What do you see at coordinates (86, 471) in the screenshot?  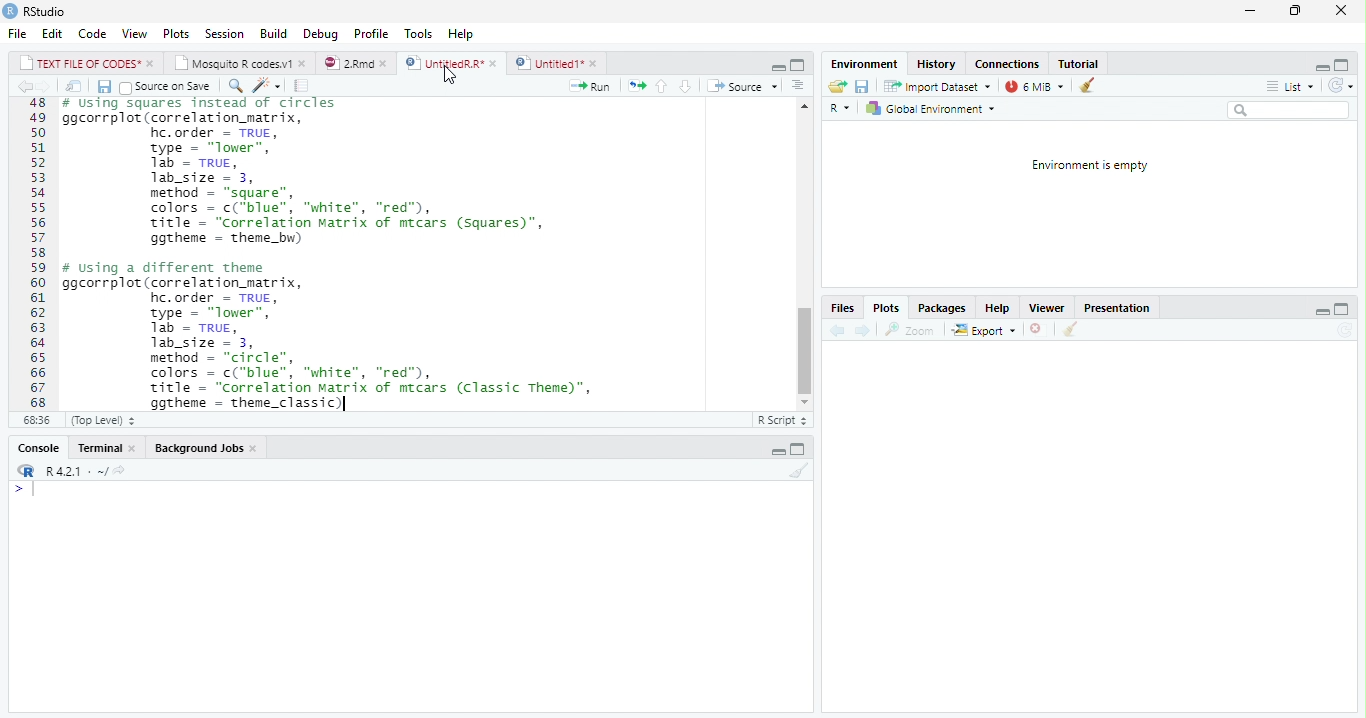 I see `R421 - ~/` at bounding box center [86, 471].